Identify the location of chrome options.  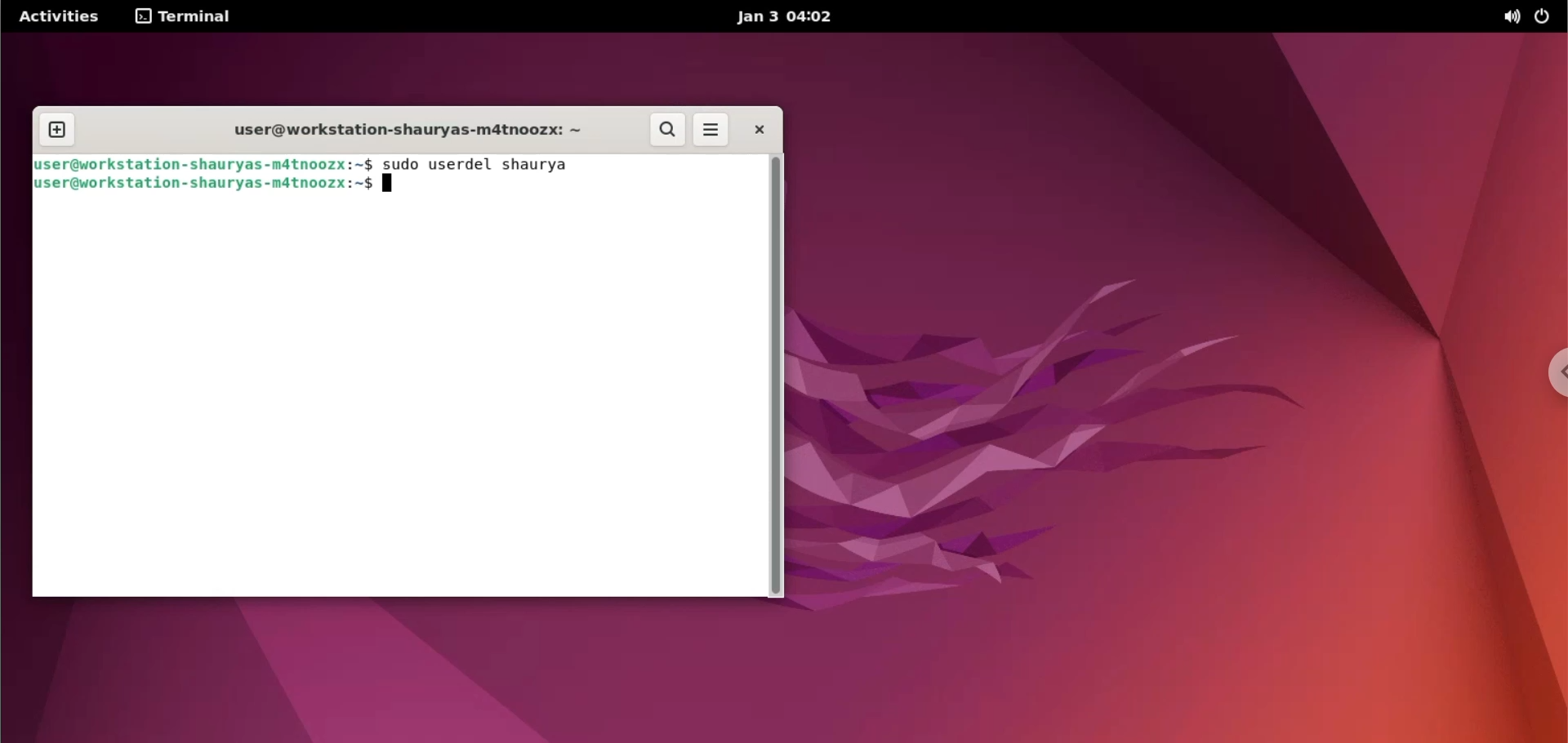
(1543, 369).